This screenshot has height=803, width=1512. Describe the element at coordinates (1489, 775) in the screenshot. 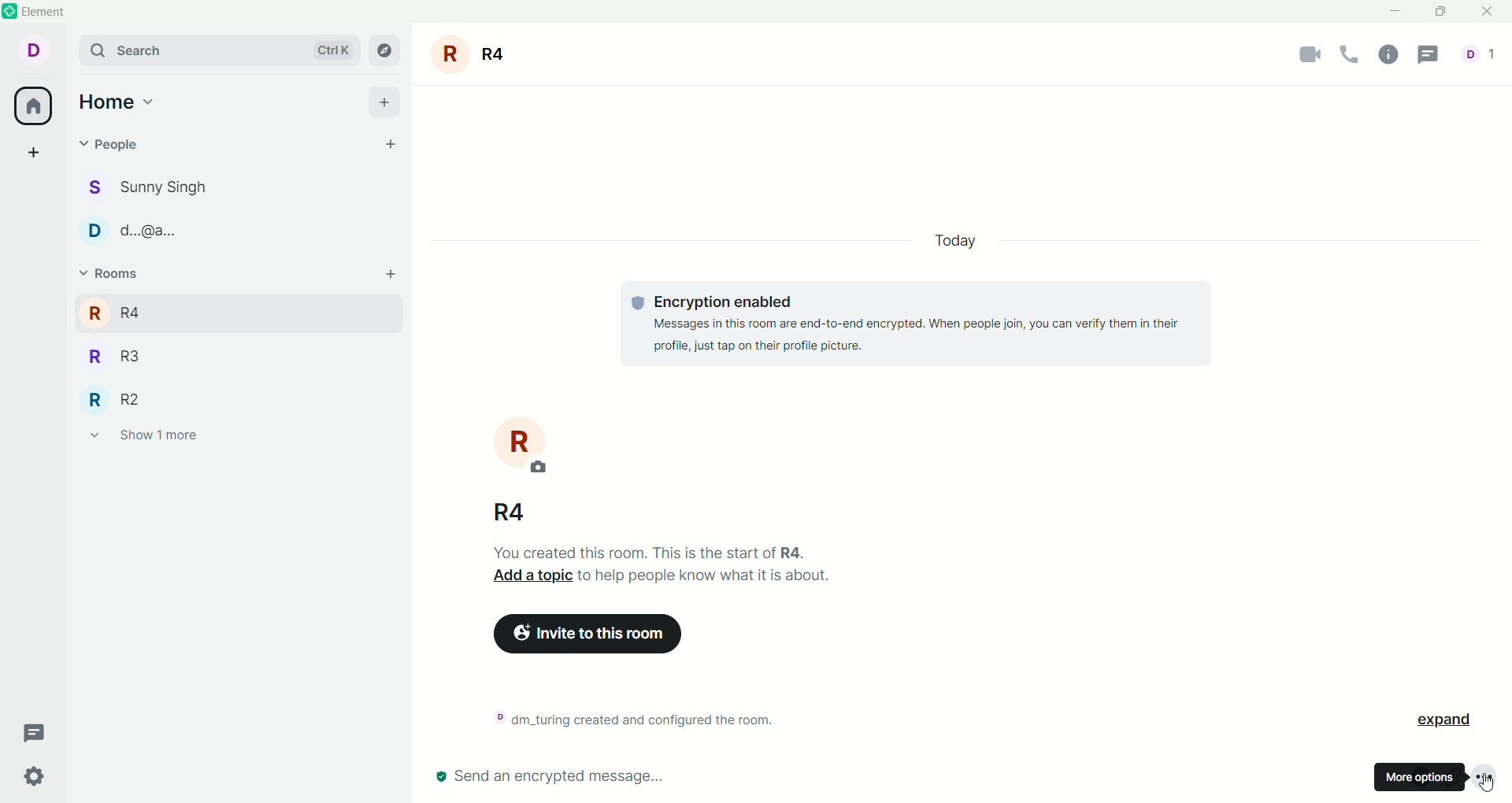

I see `more options` at that location.